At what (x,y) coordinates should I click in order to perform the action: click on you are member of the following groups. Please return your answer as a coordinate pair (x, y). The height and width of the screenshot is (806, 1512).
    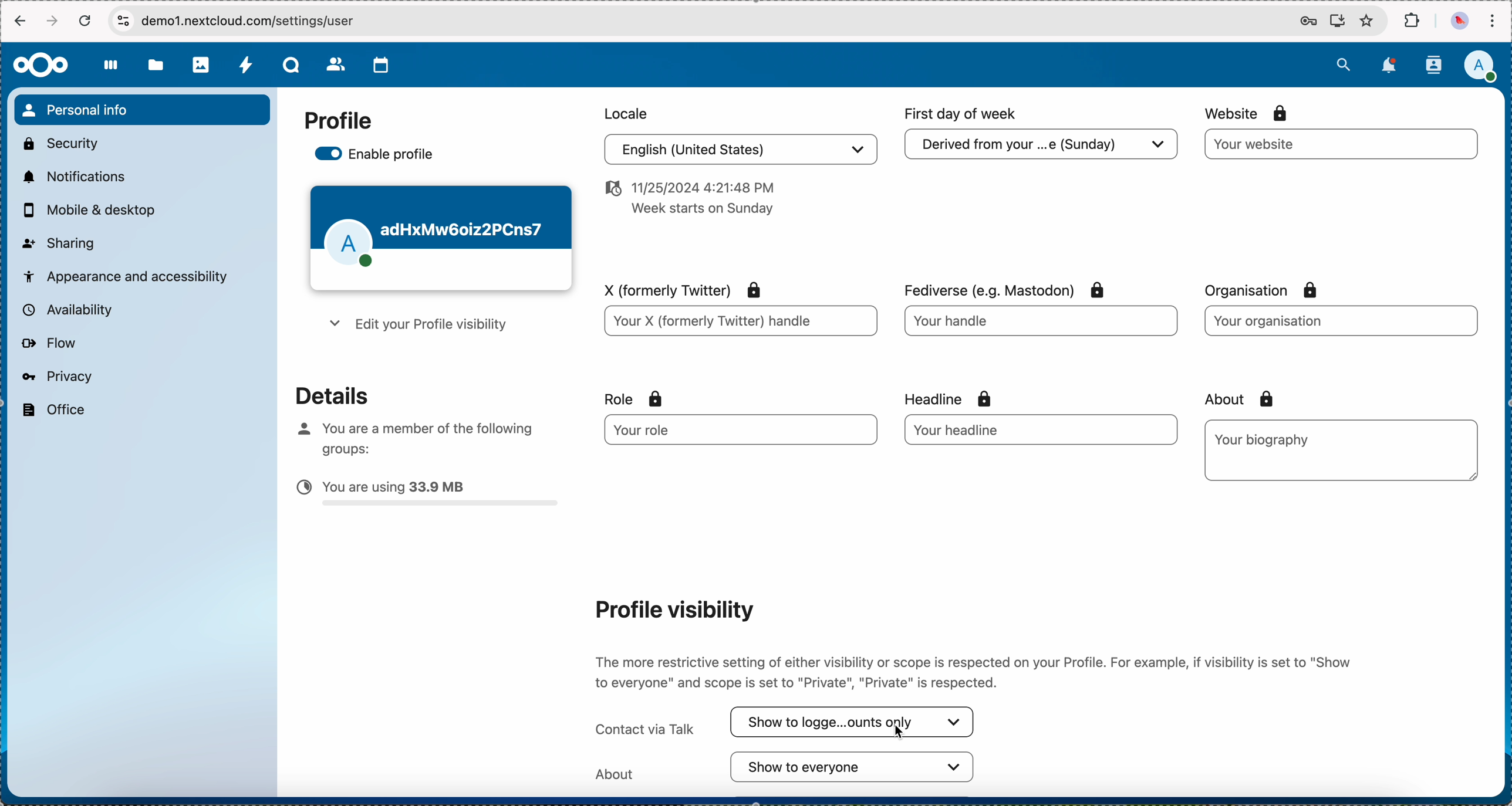
    Looking at the image, I should click on (410, 436).